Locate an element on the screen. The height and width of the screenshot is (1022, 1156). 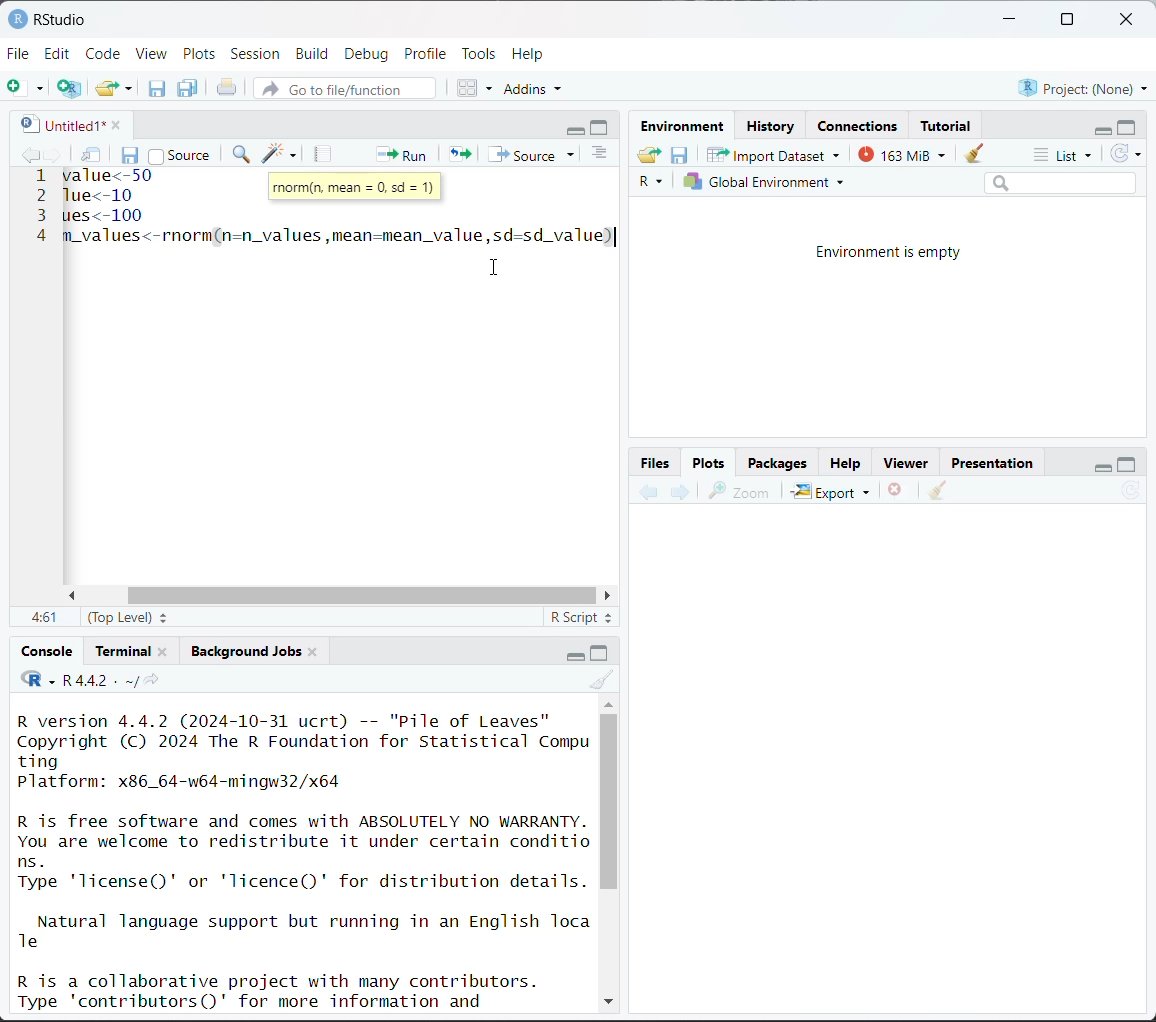
Viewer is located at coordinates (910, 464).